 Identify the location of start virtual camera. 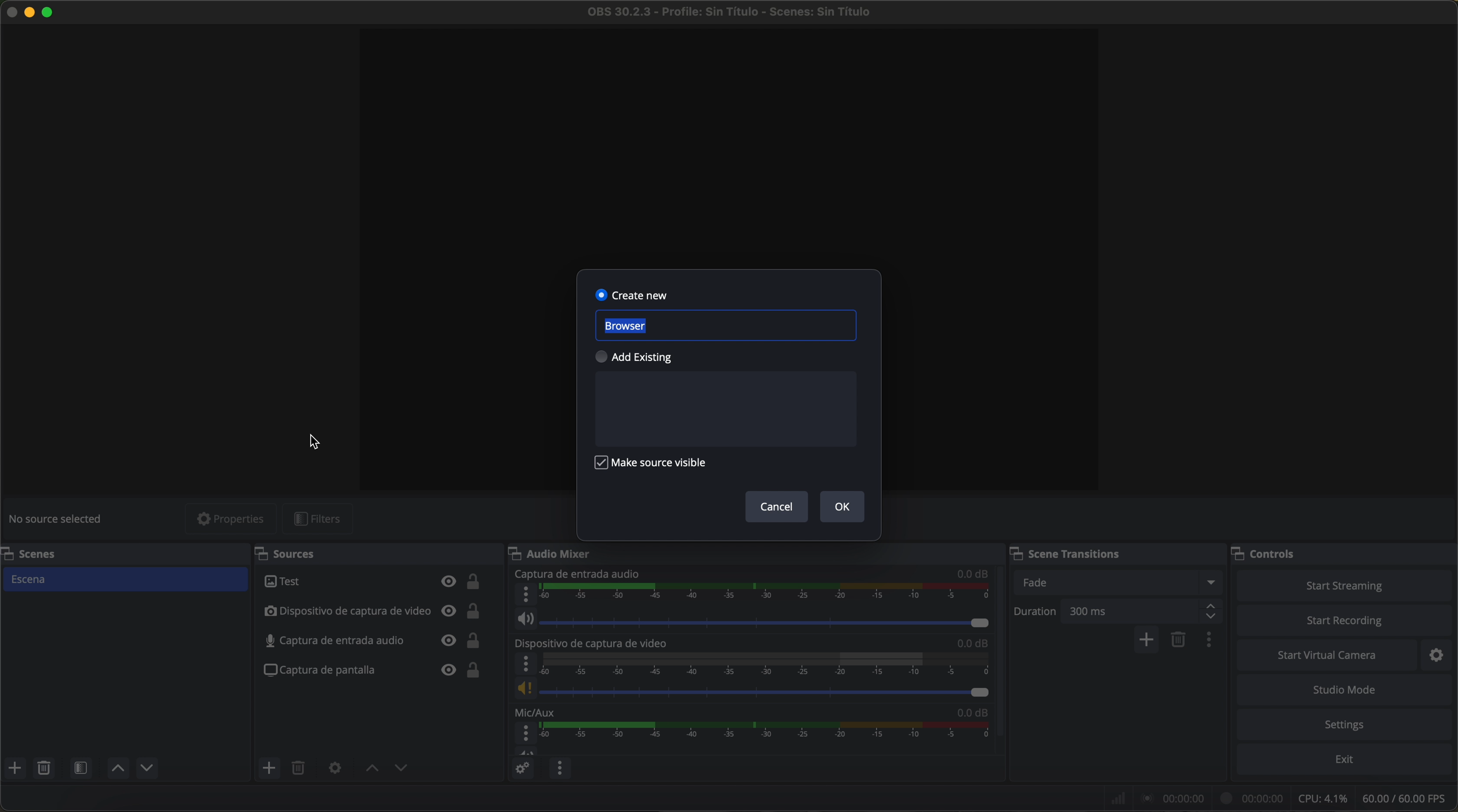
(1328, 656).